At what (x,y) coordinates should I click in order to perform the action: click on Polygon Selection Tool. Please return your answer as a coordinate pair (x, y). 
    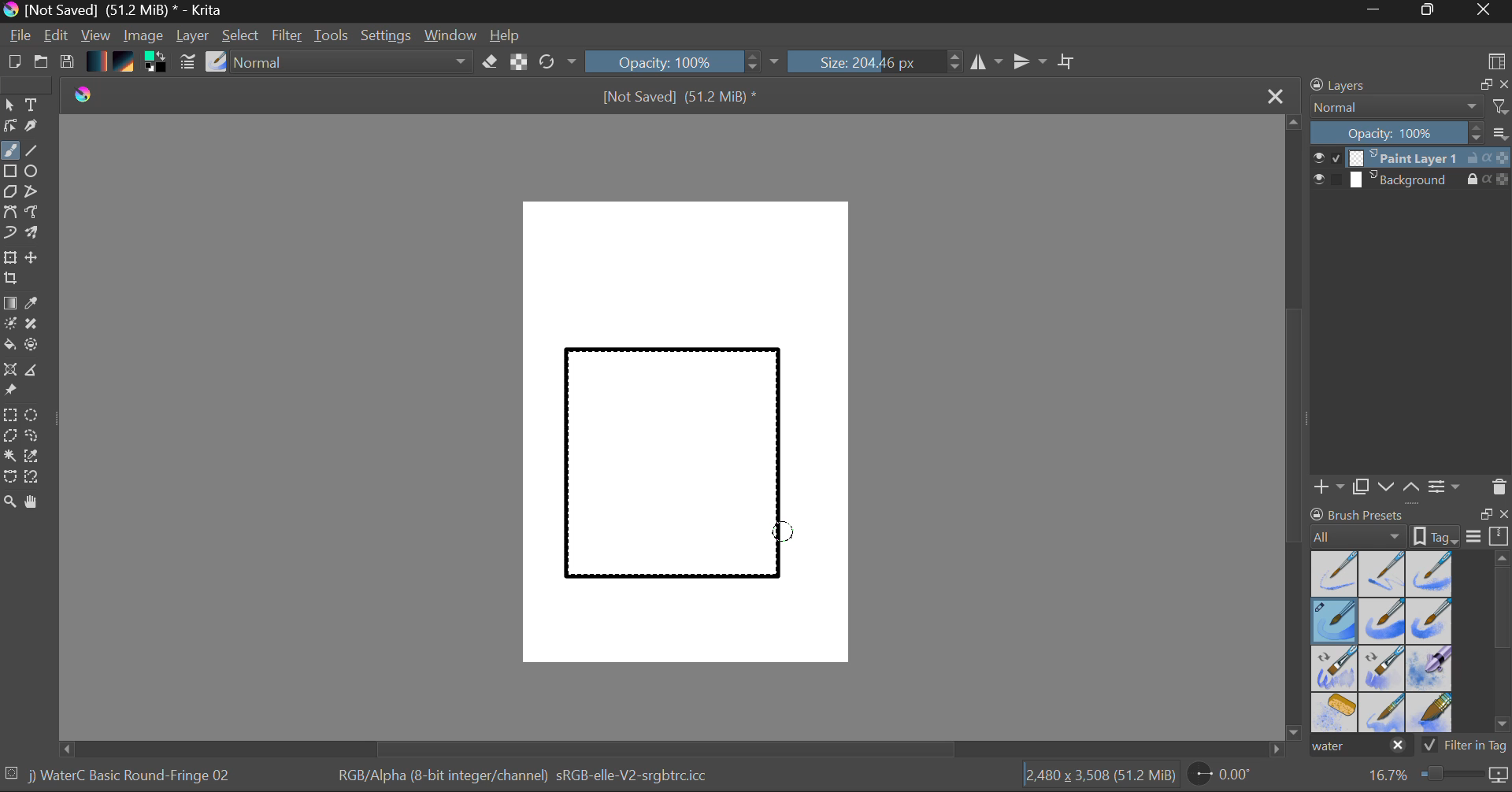
    Looking at the image, I should click on (9, 436).